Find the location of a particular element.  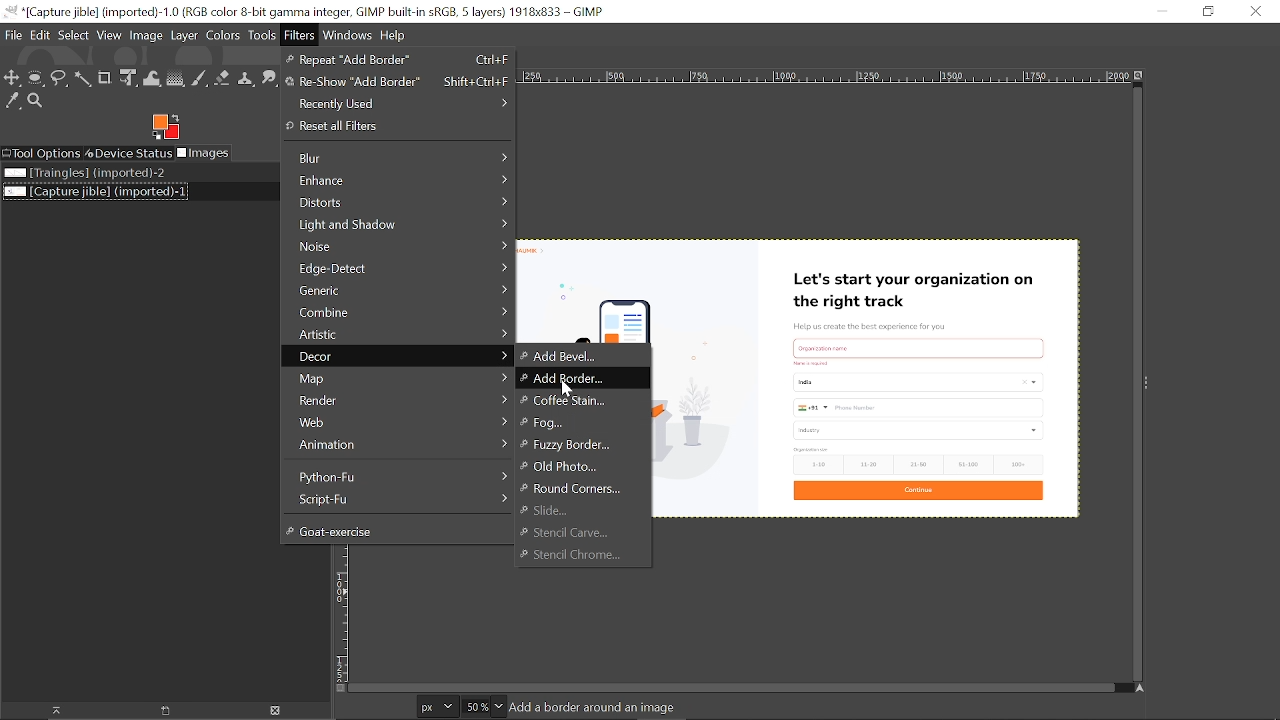

1-10 is located at coordinates (815, 464).